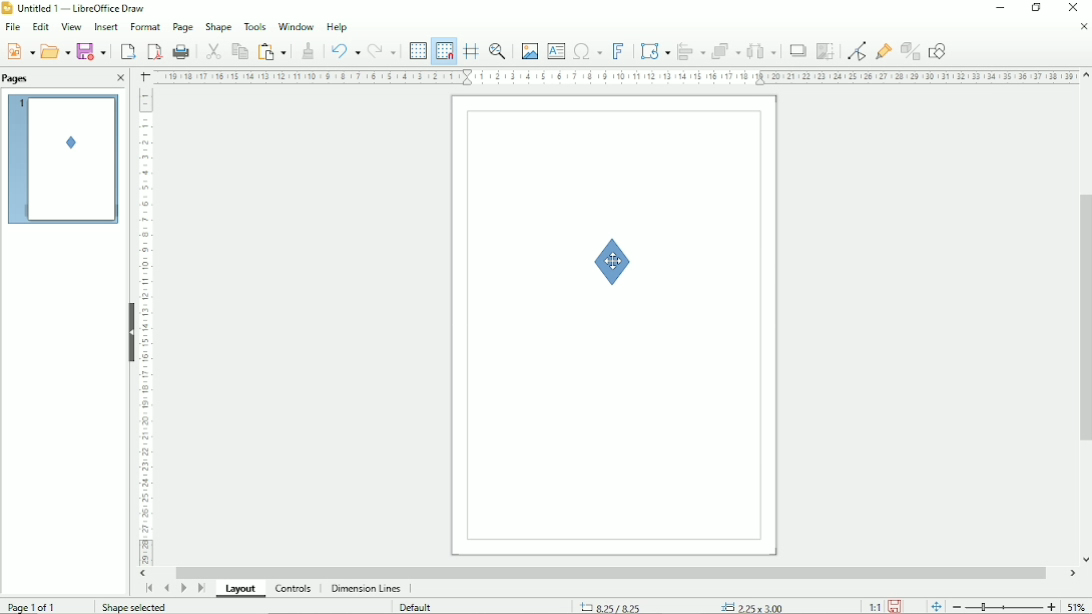 Image resolution: width=1092 pixels, height=614 pixels. I want to click on Distribute, so click(762, 51).